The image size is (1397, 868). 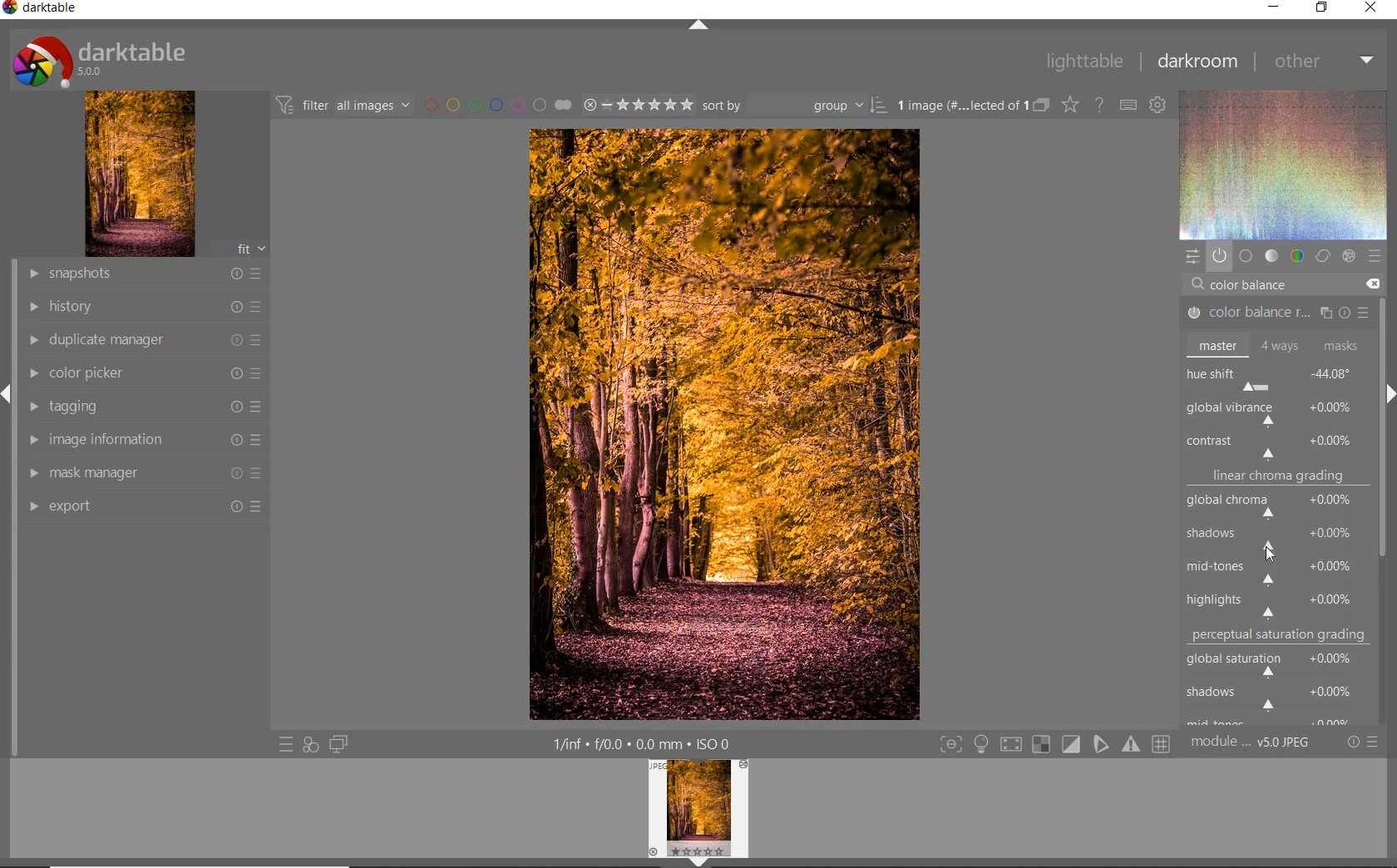 I want to click on highlights, so click(x=1281, y=601).